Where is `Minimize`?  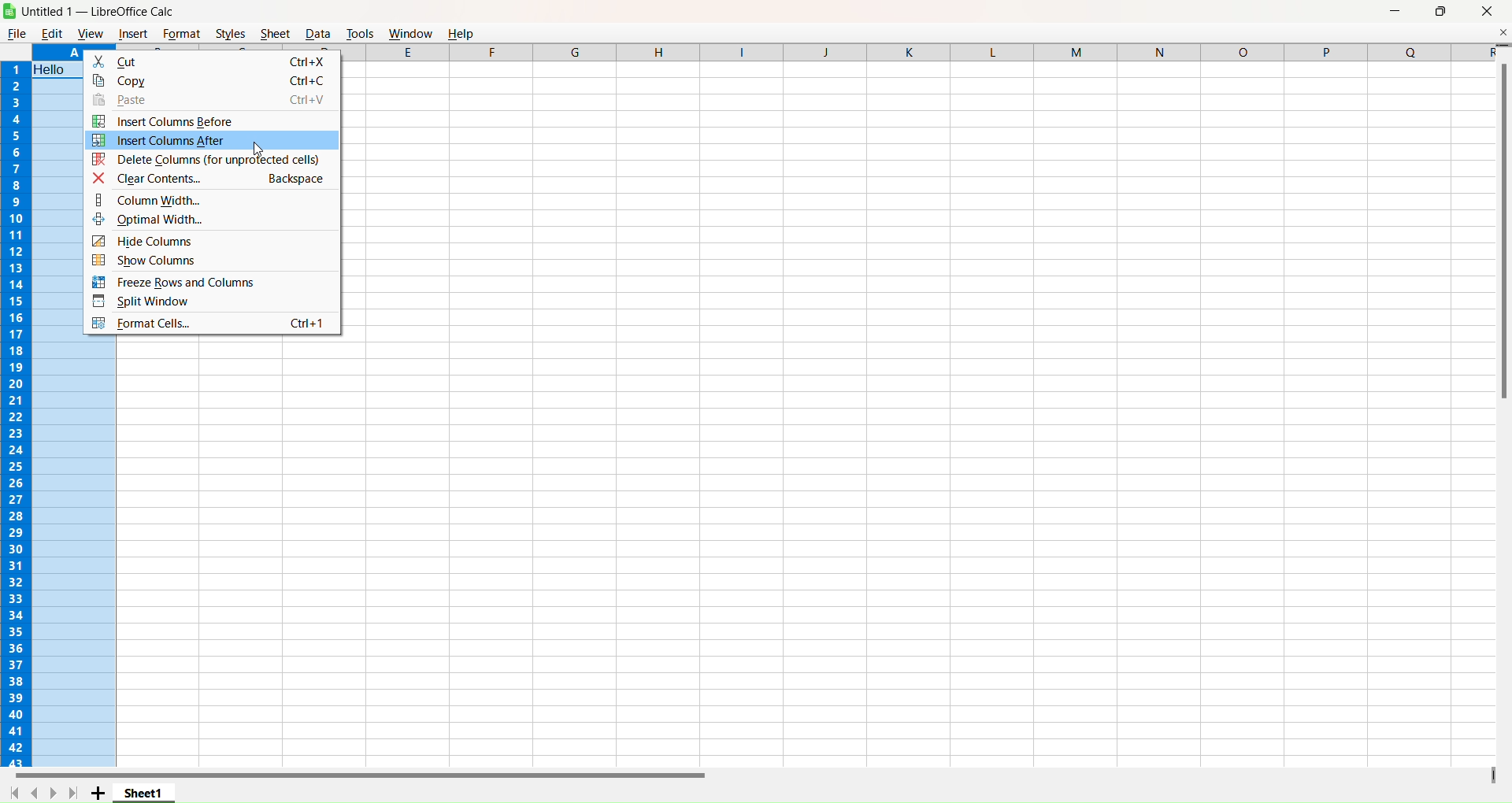
Minimize is located at coordinates (1395, 12).